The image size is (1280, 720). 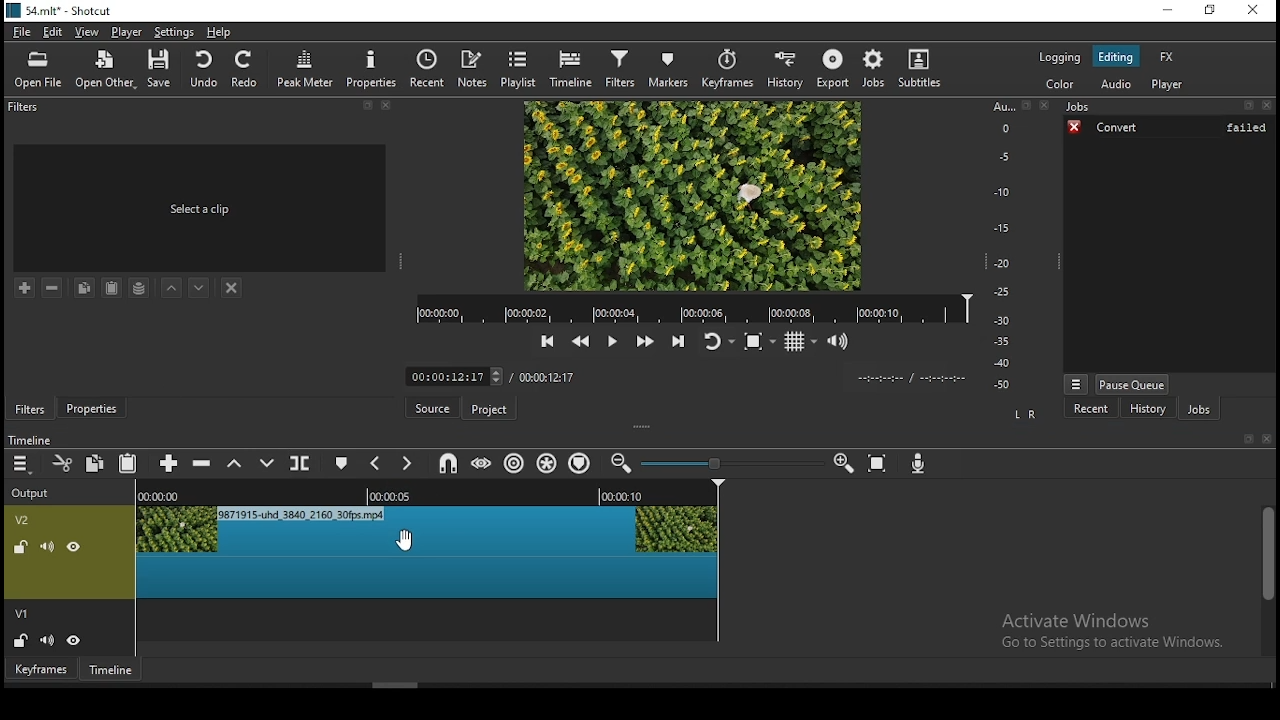 I want to click on notes, so click(x=475, y=69).